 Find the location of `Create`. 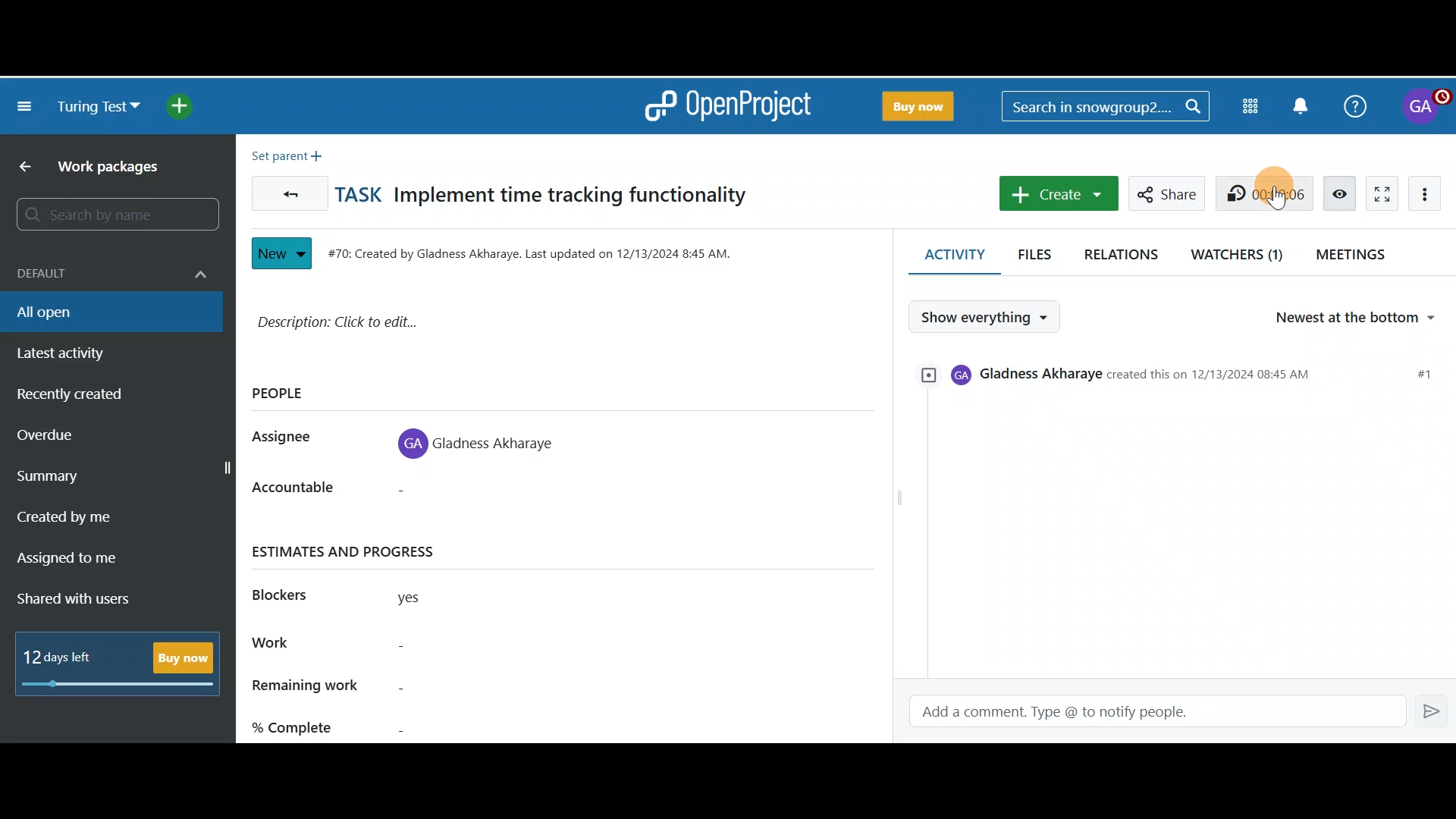

Create is located at coordinates (1055, 194).